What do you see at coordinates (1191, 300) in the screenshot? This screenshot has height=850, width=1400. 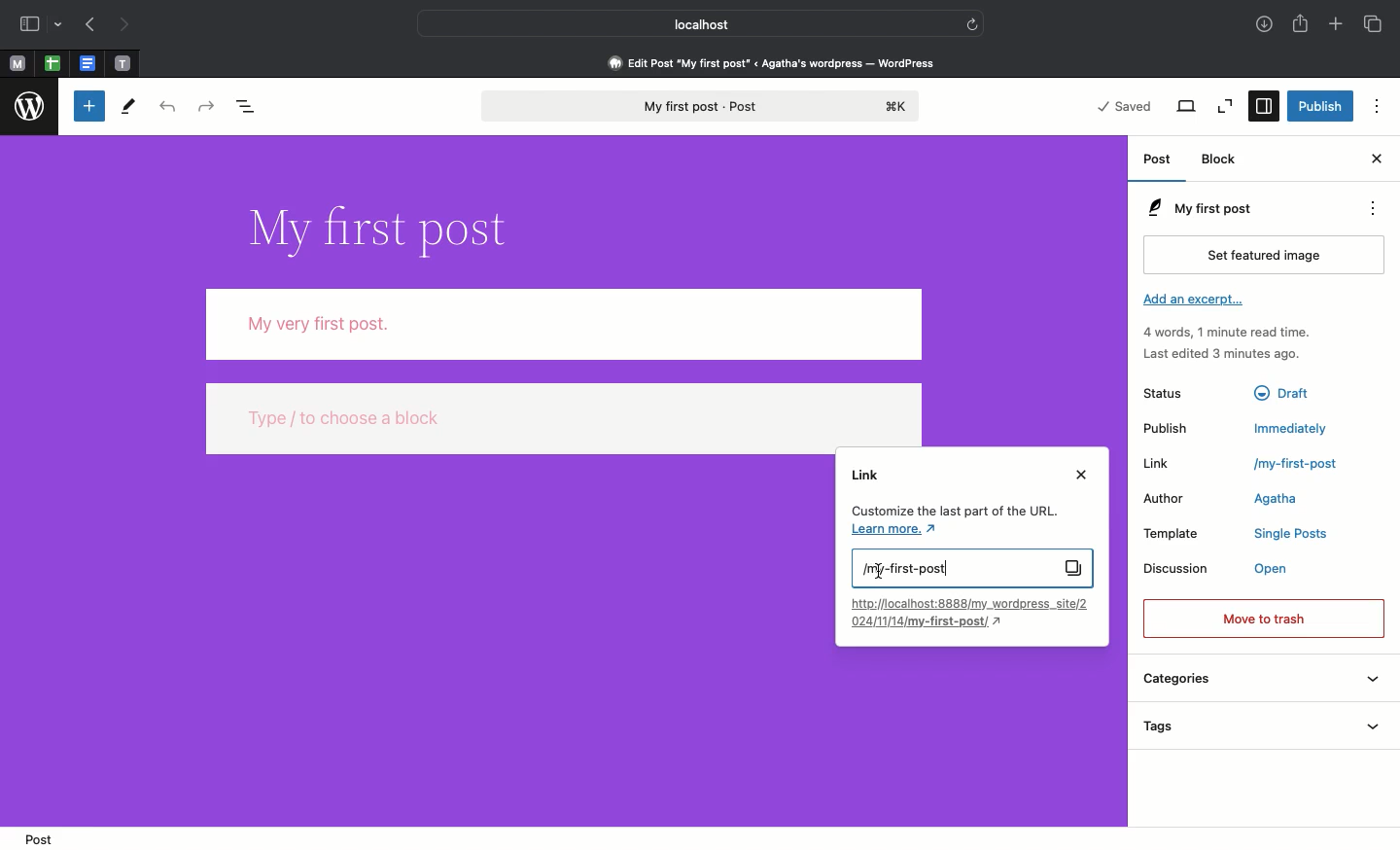 I see `Add an excerpt` at bounding box center [1191, 300].